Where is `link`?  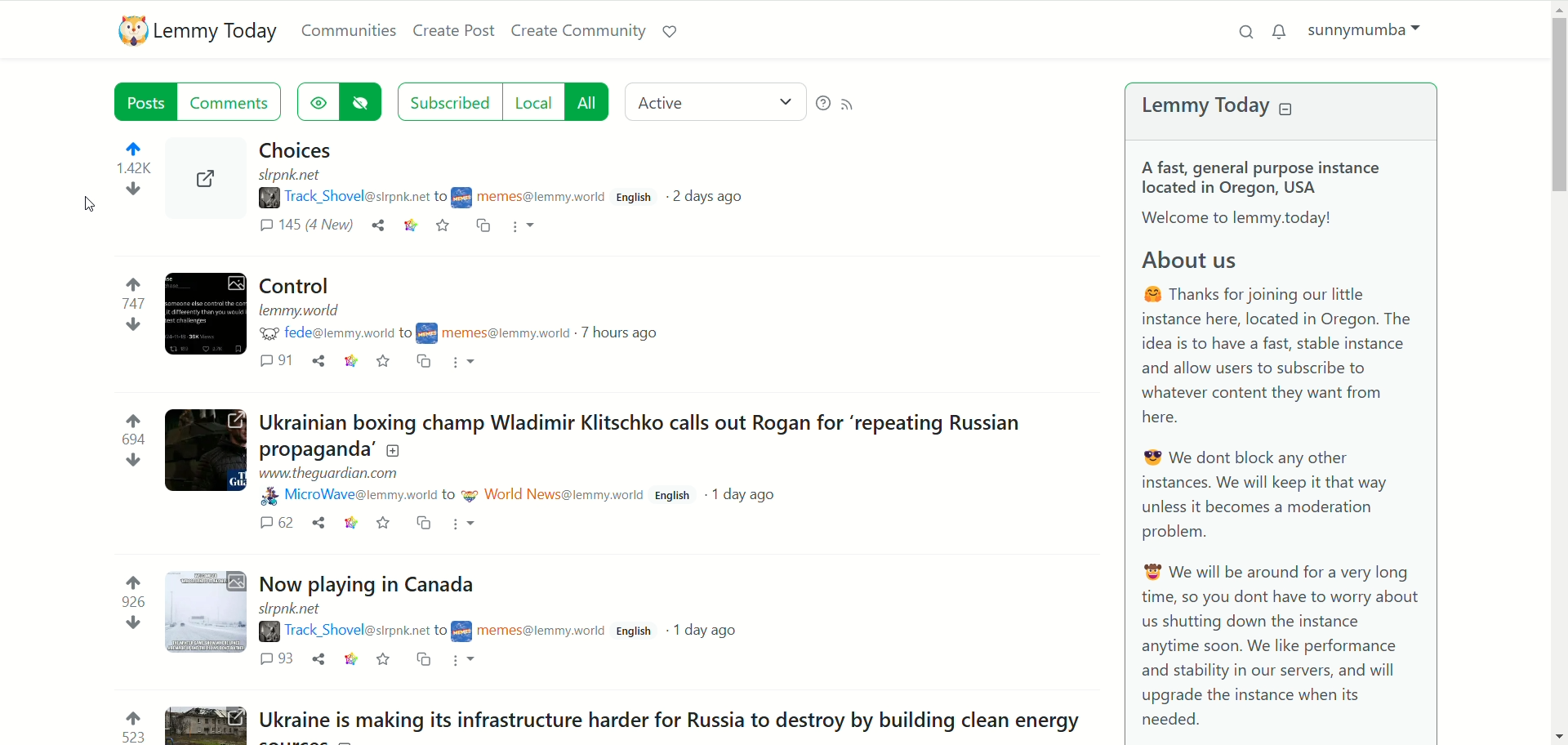
link is located at coordinates (354, 523).